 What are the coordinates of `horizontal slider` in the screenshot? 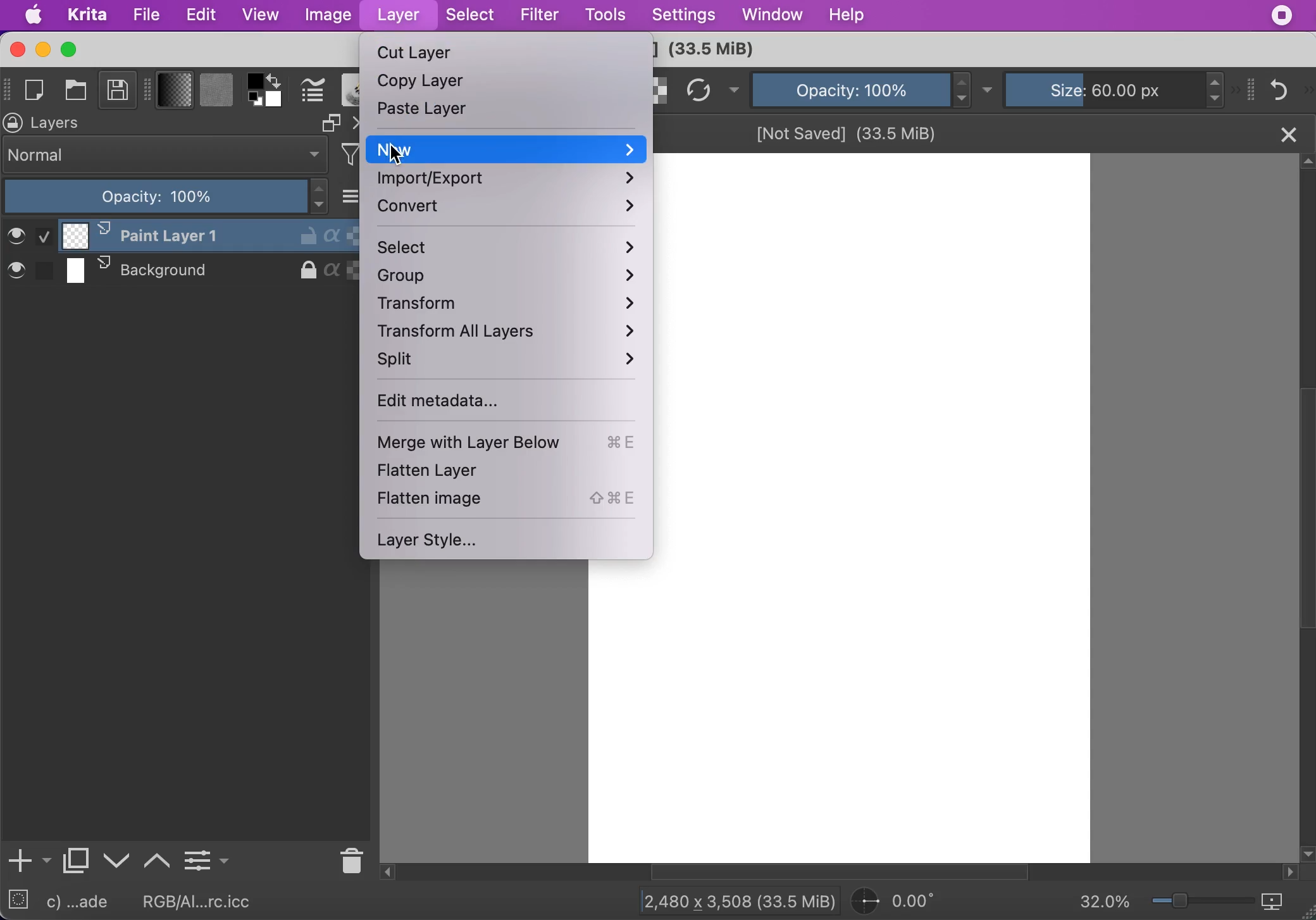 It's located at (853, 873).